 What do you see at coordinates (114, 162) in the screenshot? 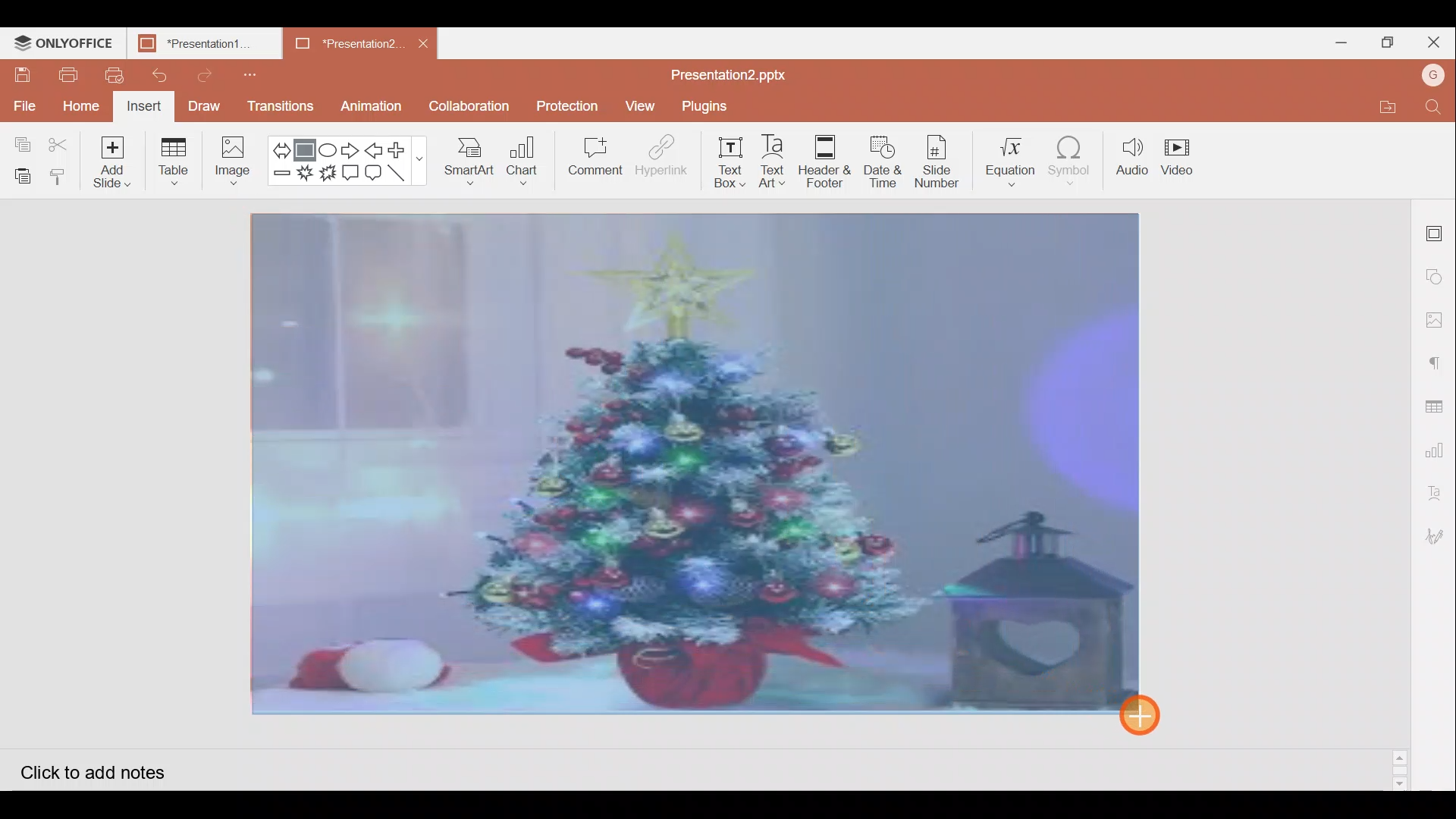
I see `Add slide` at bounding box center [114, 162].